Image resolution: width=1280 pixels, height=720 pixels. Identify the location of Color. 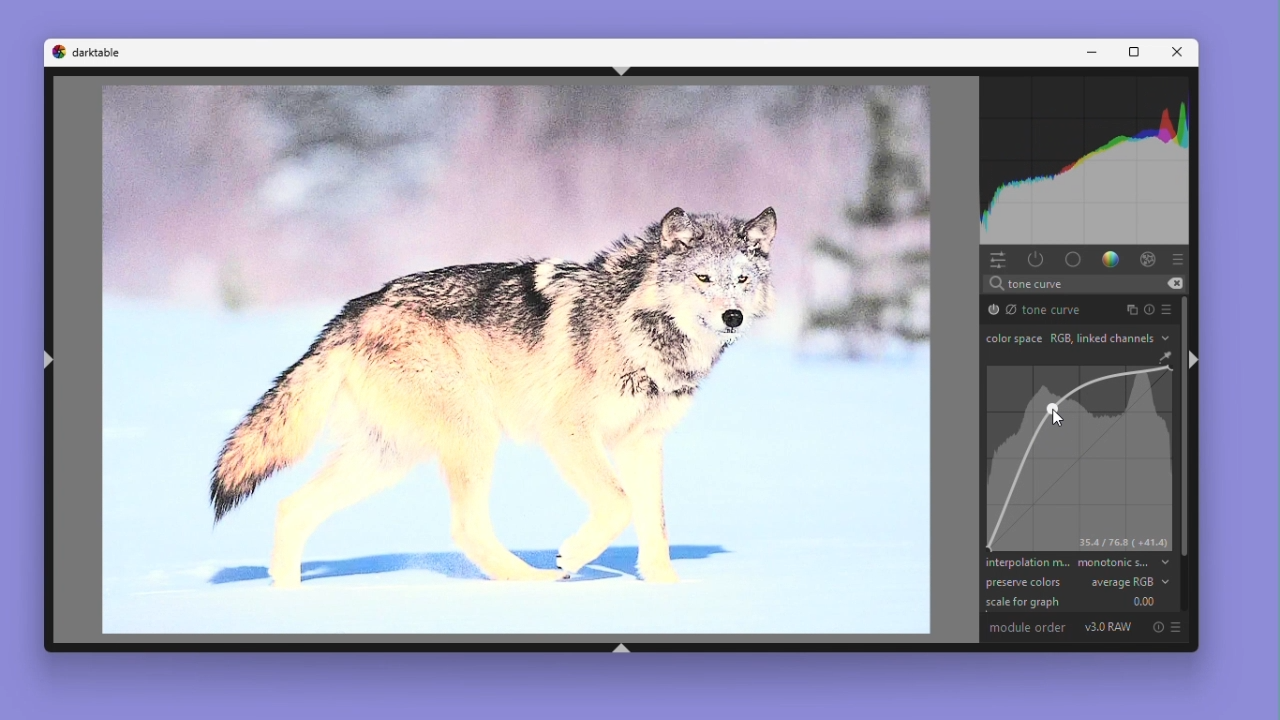
(1111, 261).